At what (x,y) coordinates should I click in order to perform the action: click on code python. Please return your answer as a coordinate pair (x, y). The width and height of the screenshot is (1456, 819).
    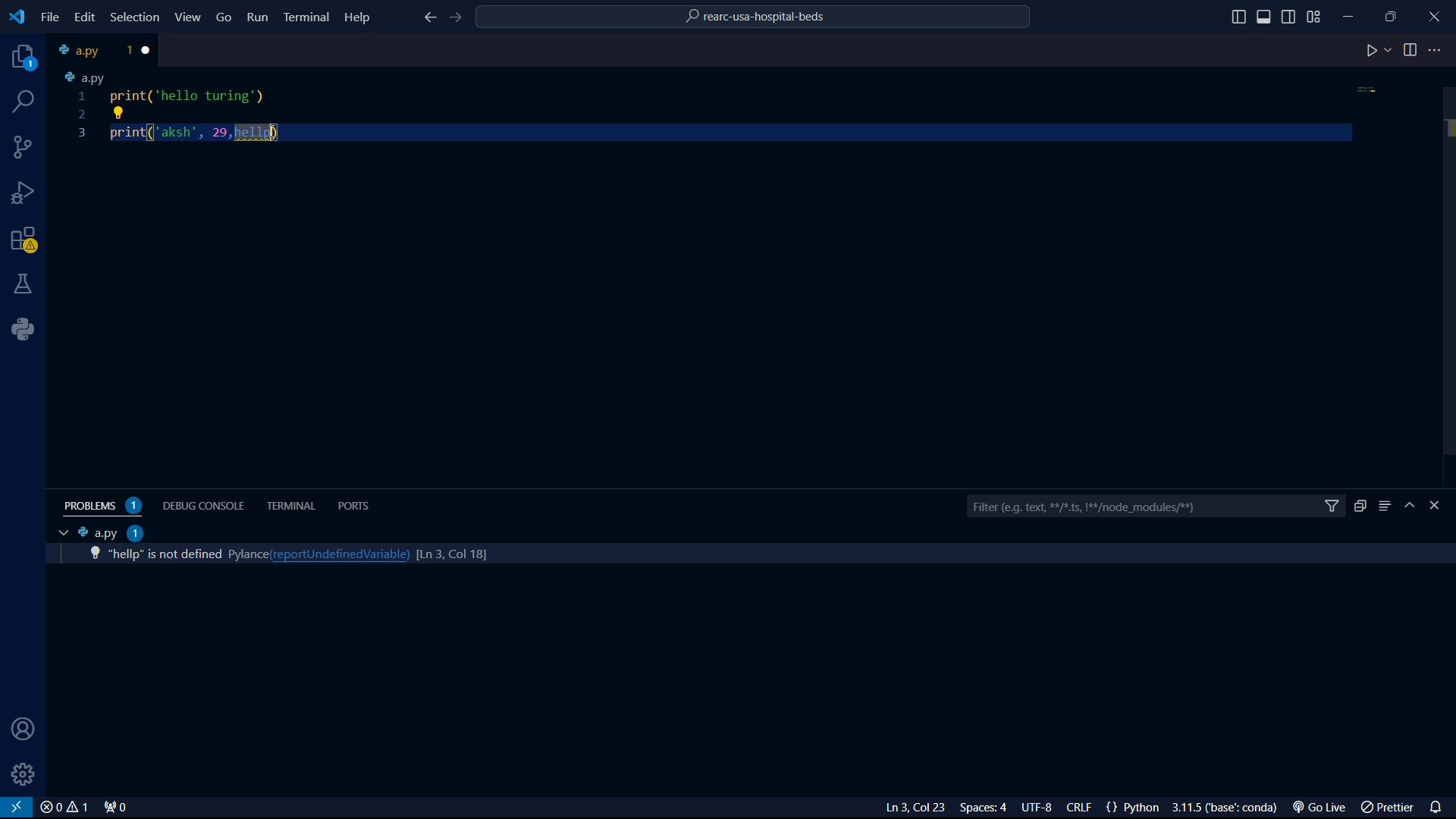
    Looking at the image, I should click on (717, 108).